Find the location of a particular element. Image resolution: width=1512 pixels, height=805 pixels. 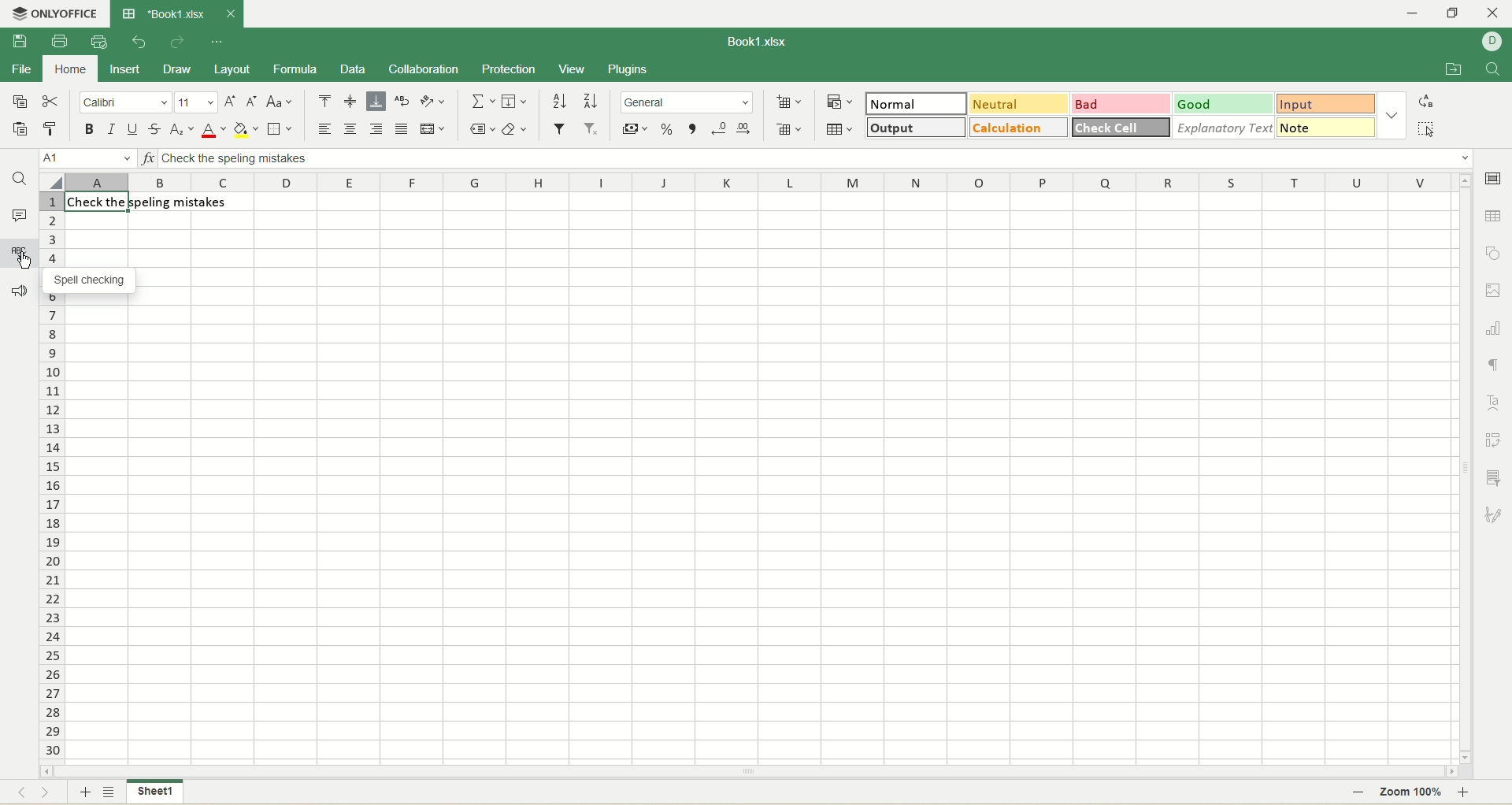

border is located at coordinates (279, 131).